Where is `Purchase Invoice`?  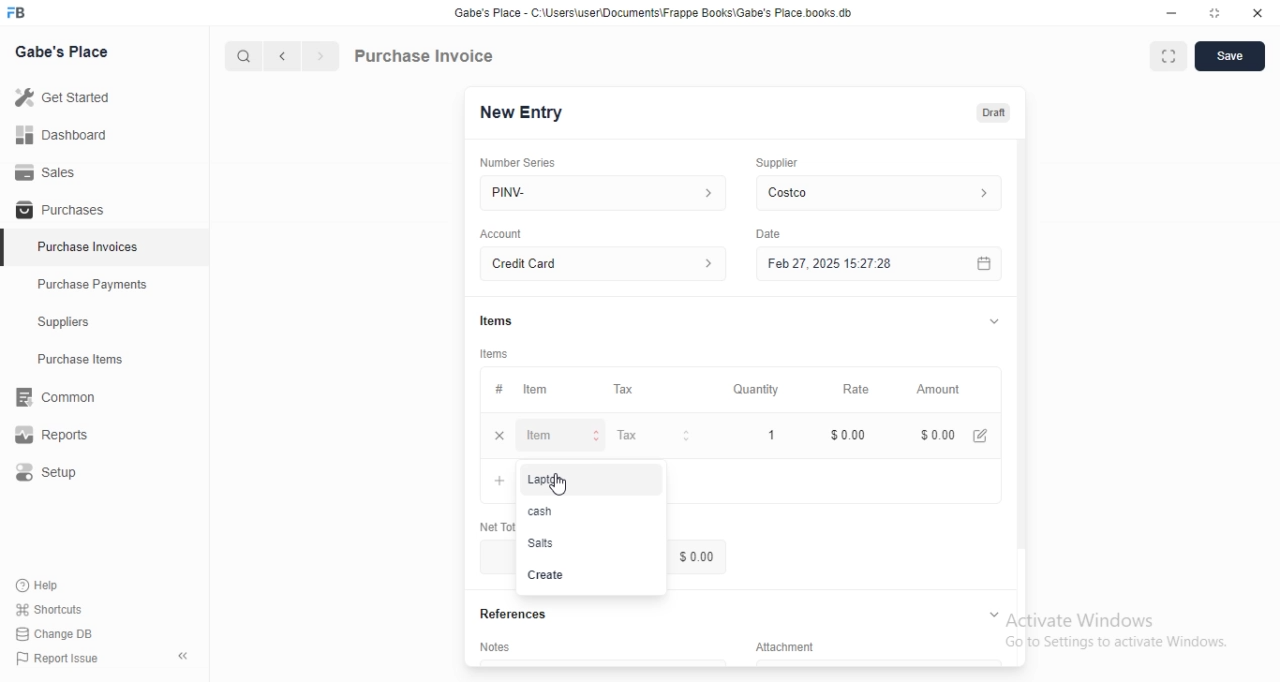 Purchase Invoice is located at coordinates (425, 55).